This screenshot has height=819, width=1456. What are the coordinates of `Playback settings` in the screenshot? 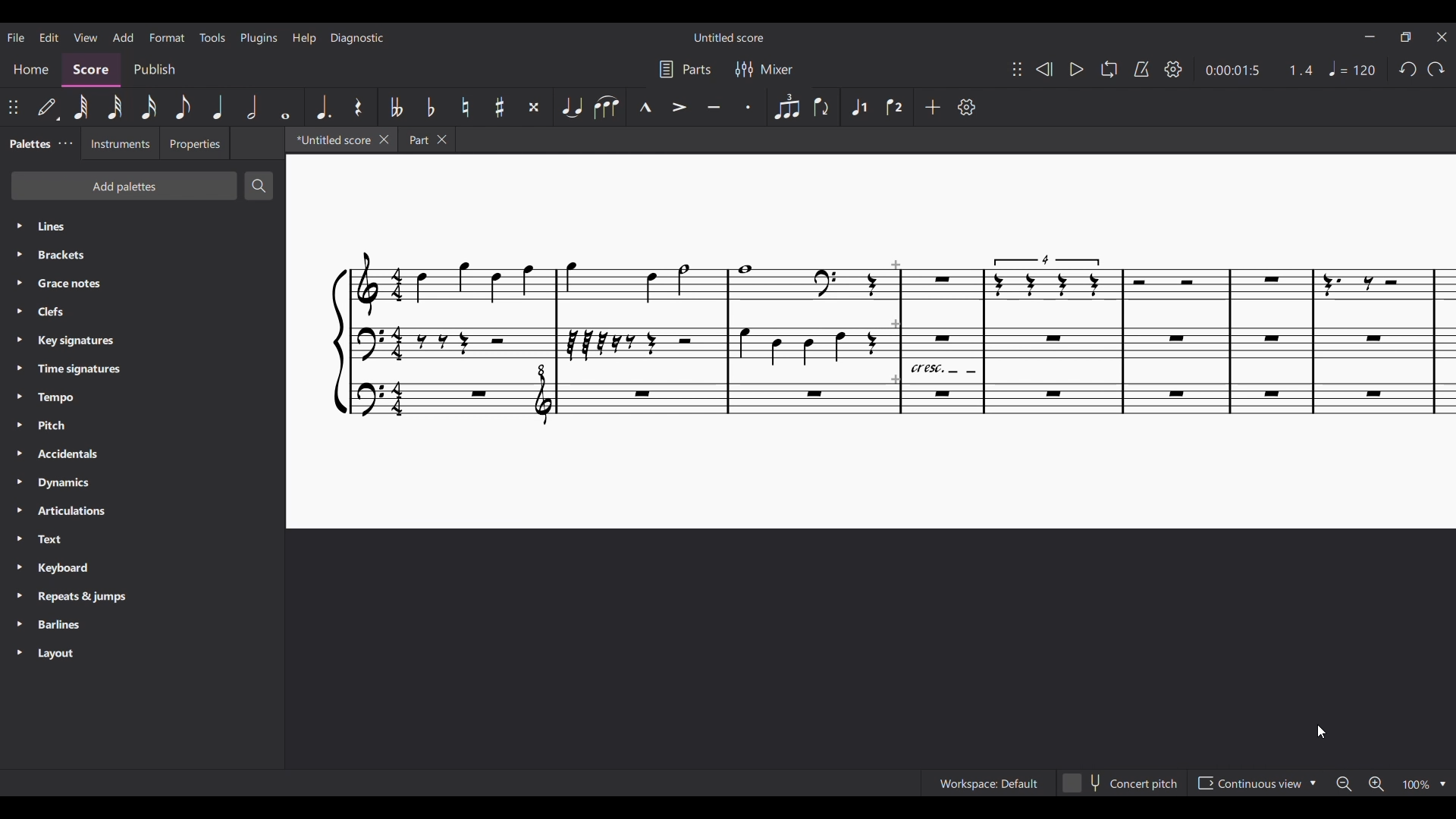 It's located at (1173, 69).